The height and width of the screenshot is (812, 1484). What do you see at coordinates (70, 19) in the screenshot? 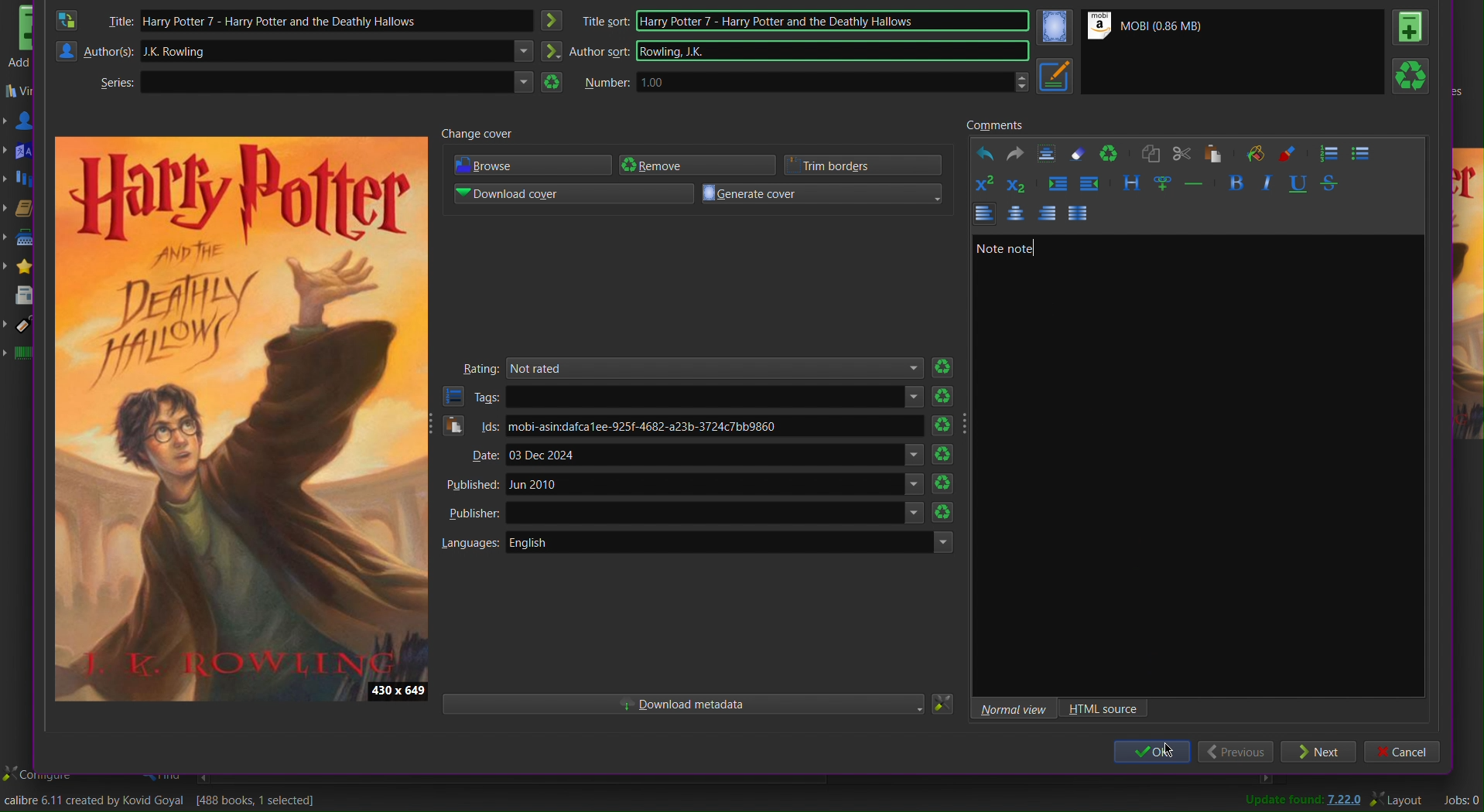
I see `Swap Author and Title` at bounding box center [70, 19].